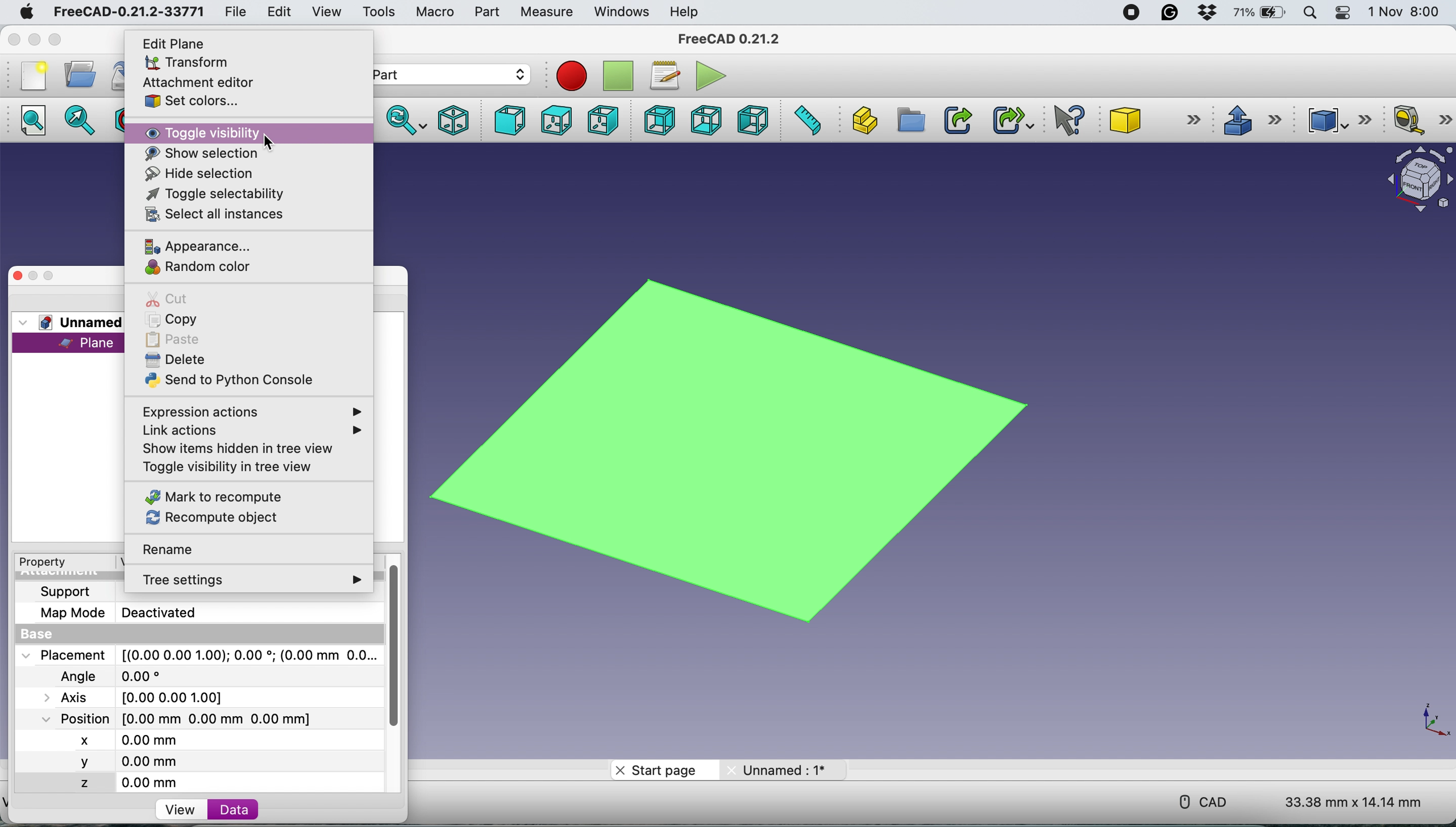  I want to click on show selection, so click(199, 154).